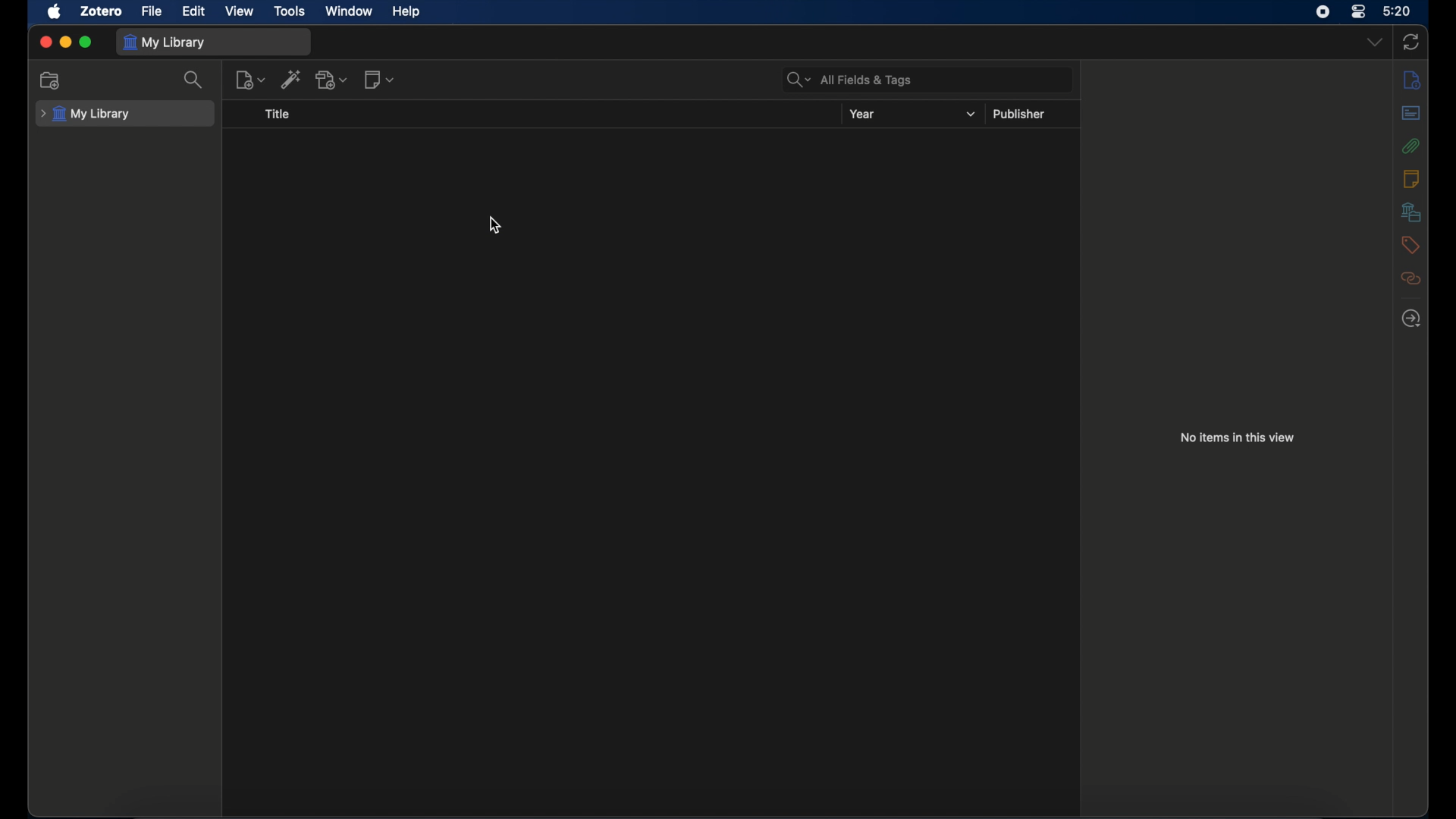 This screenshot has width=1456, height=819. I want to click on year drop-down menu, so click(971, 115).